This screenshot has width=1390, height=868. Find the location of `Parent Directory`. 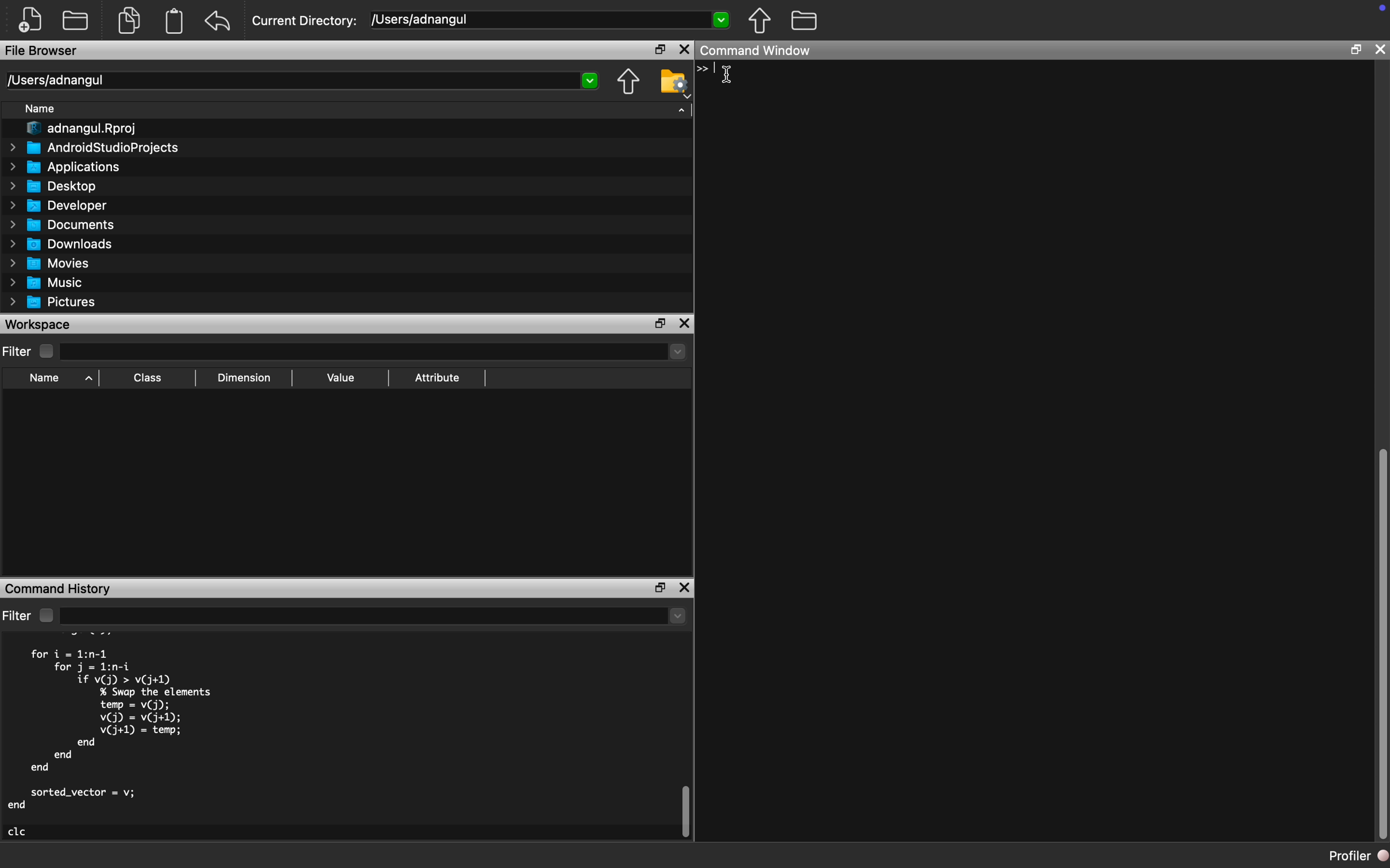

Parent Directory is located at coordinates (627, 83).